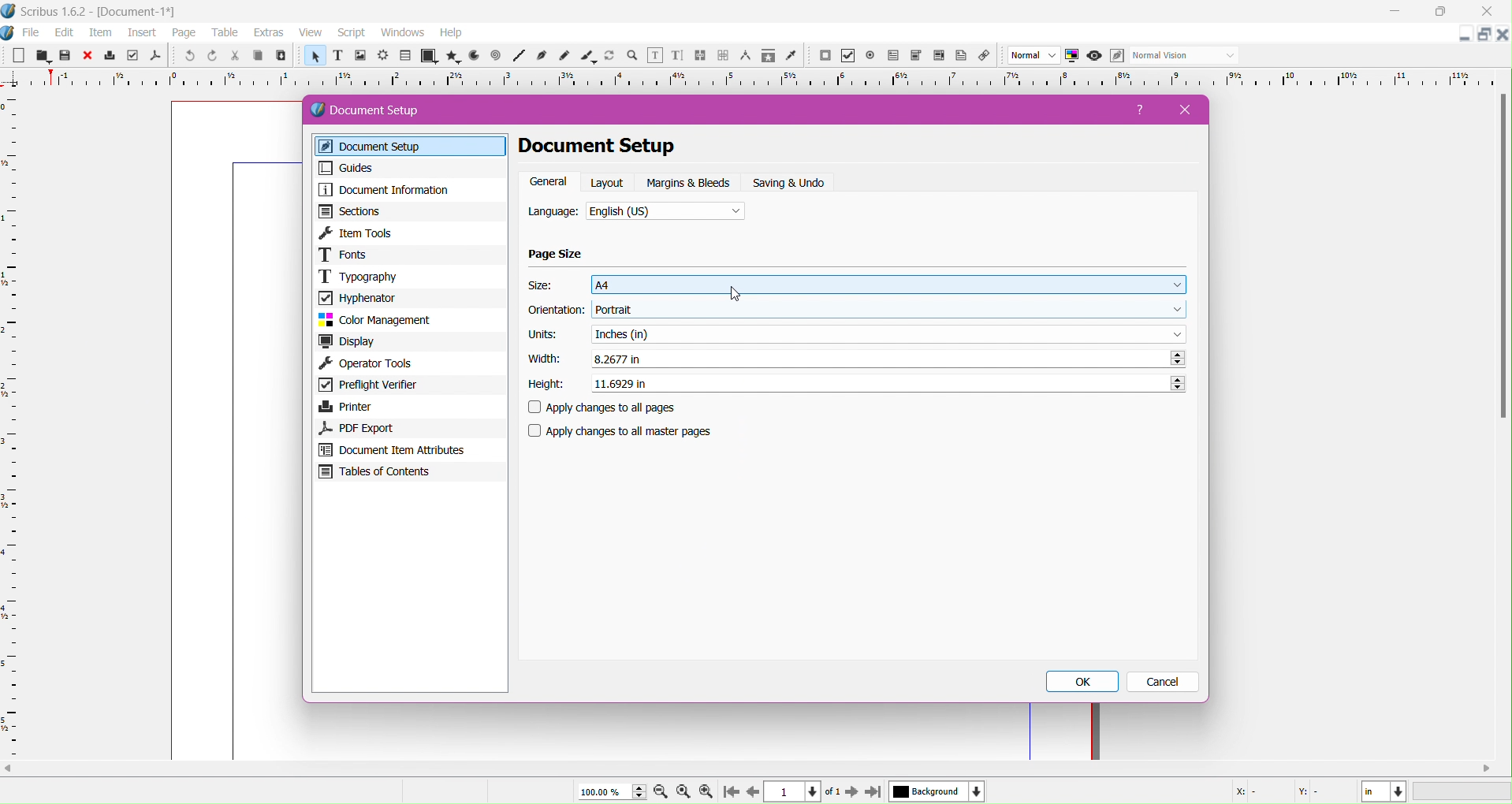 The image size is (1512, 804). I want to click on Guides, so click(407, 168).